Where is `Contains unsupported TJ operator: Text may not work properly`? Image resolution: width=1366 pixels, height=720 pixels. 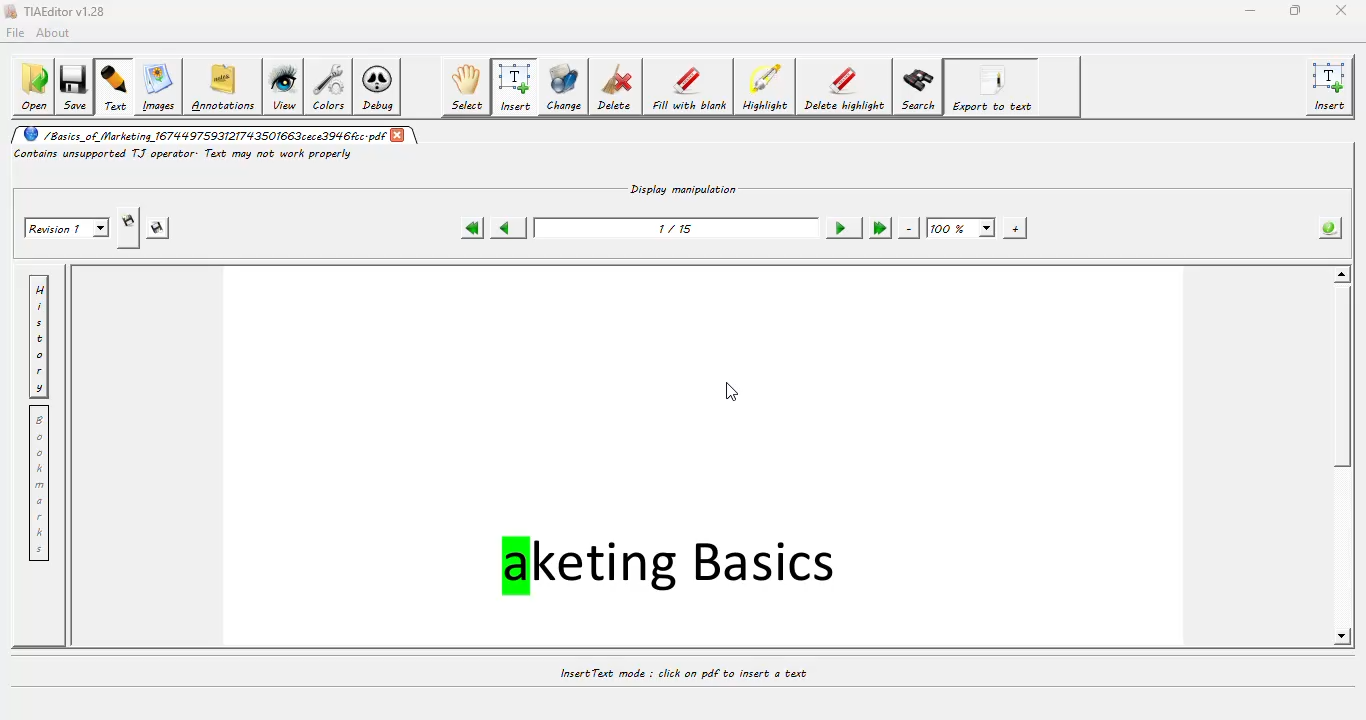
Contains unsupported TJ operator: Text may not work properly is located at coordinates (184, 154).